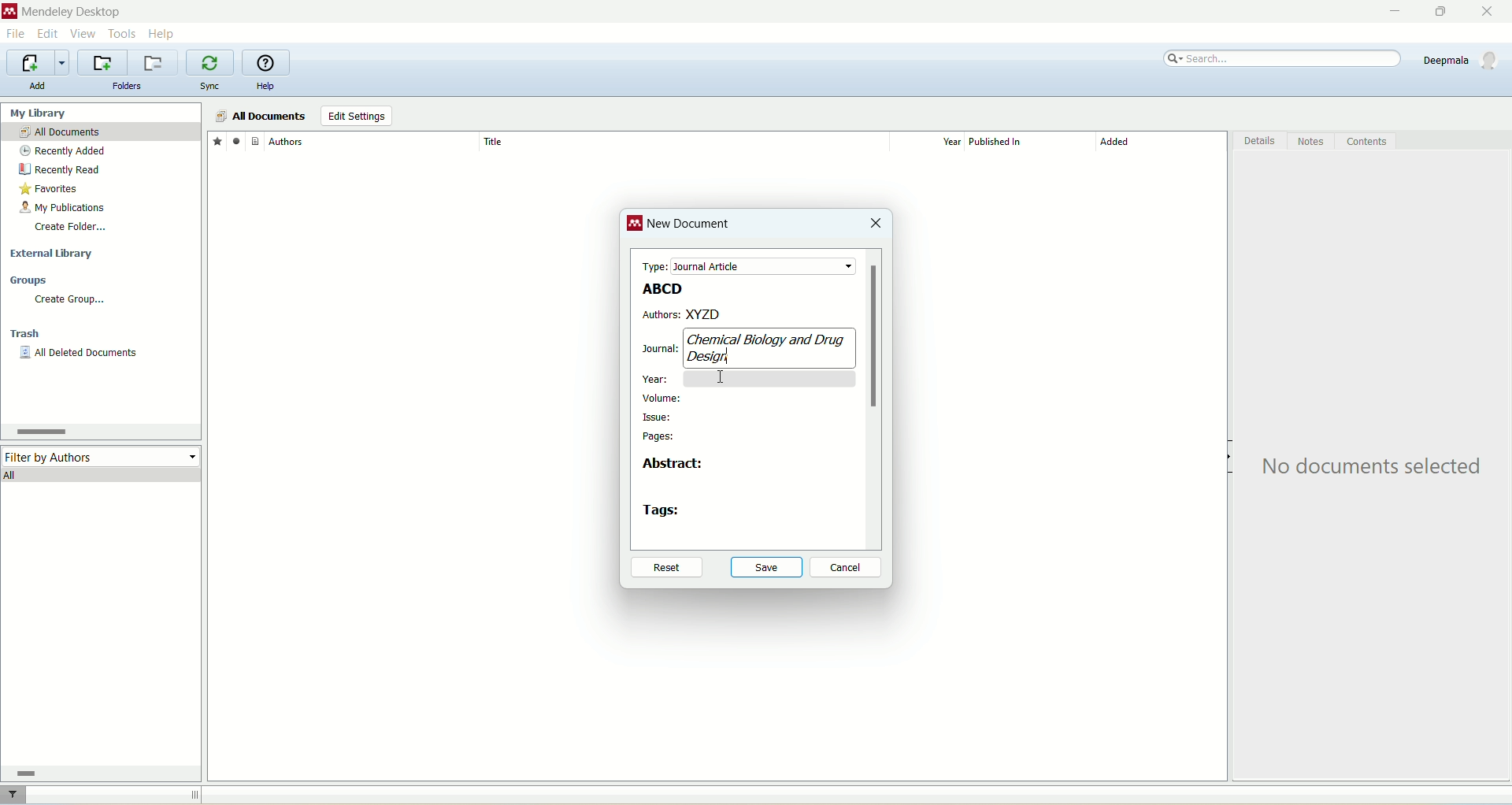 This screenshot has height=805, width=1512. I want to click on sync, so click(212, 87).